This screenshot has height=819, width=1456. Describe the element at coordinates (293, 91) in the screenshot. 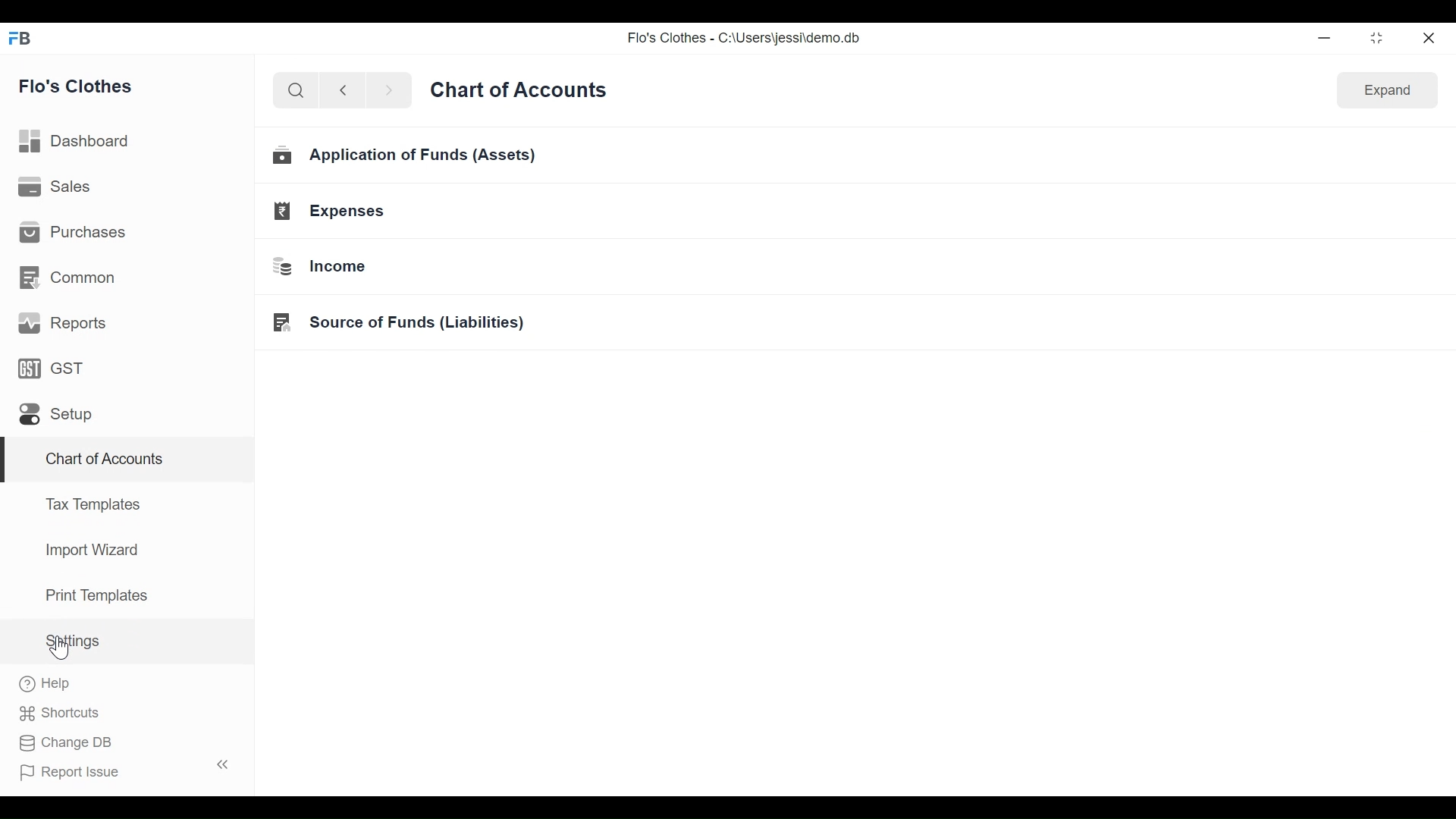

I see `Search` at that location.